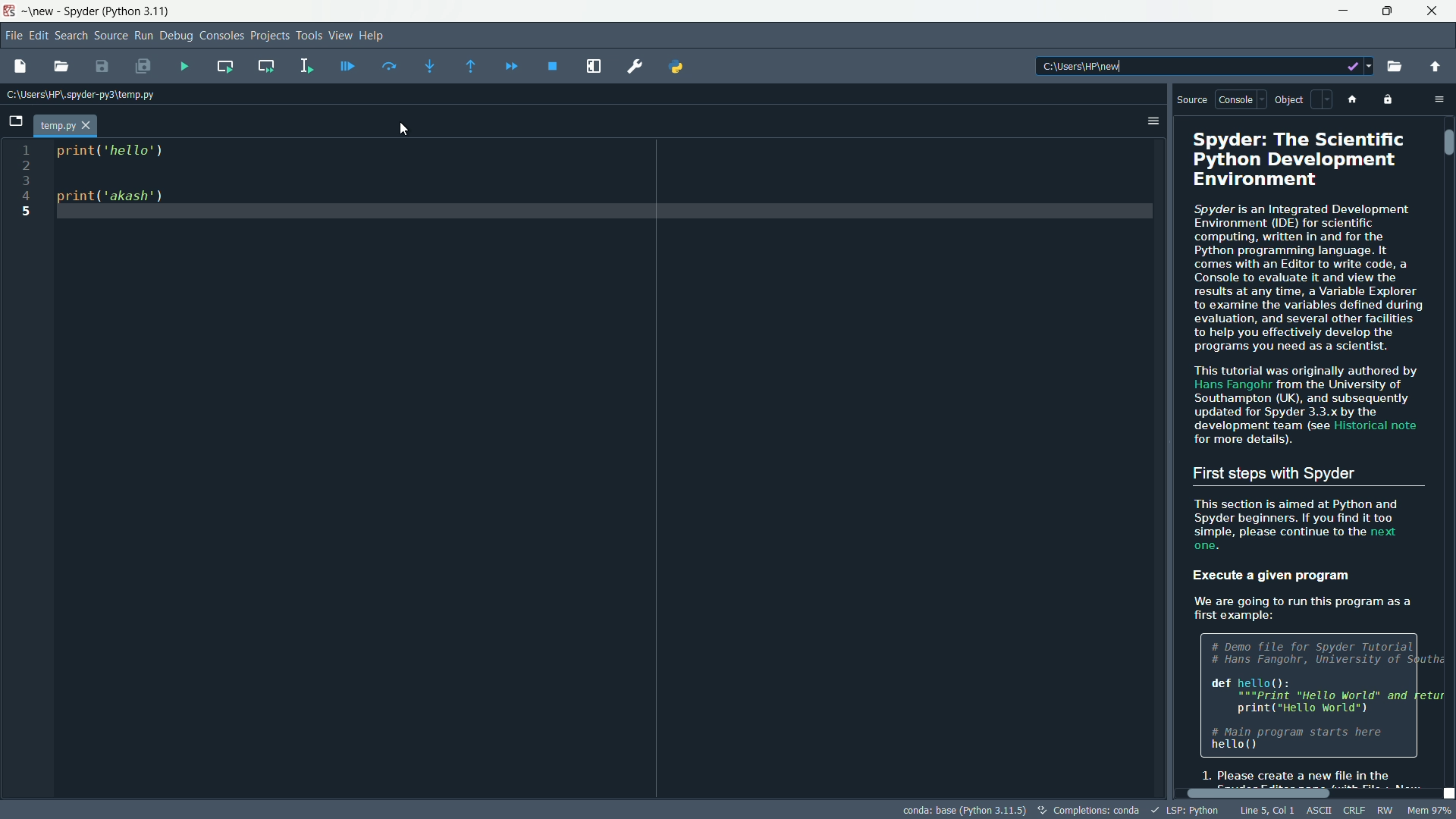  I want to click on C:\USERS\HP\NEW, so click(1147, 67).